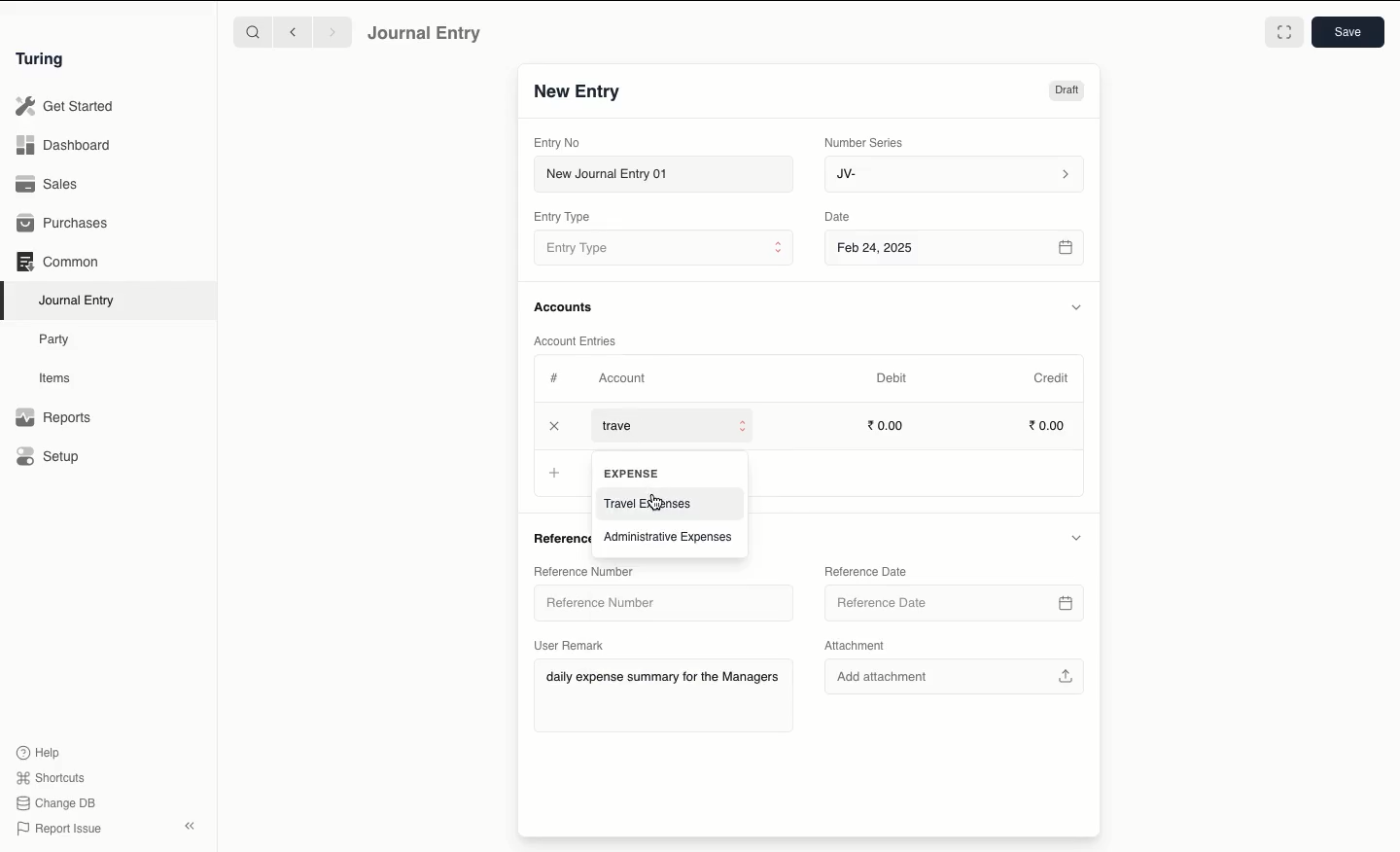 The width and height of the screenshot is (1400, 852). Describe the element at coordinates (59, 340) in the screenshot. I see `Party` at that location.